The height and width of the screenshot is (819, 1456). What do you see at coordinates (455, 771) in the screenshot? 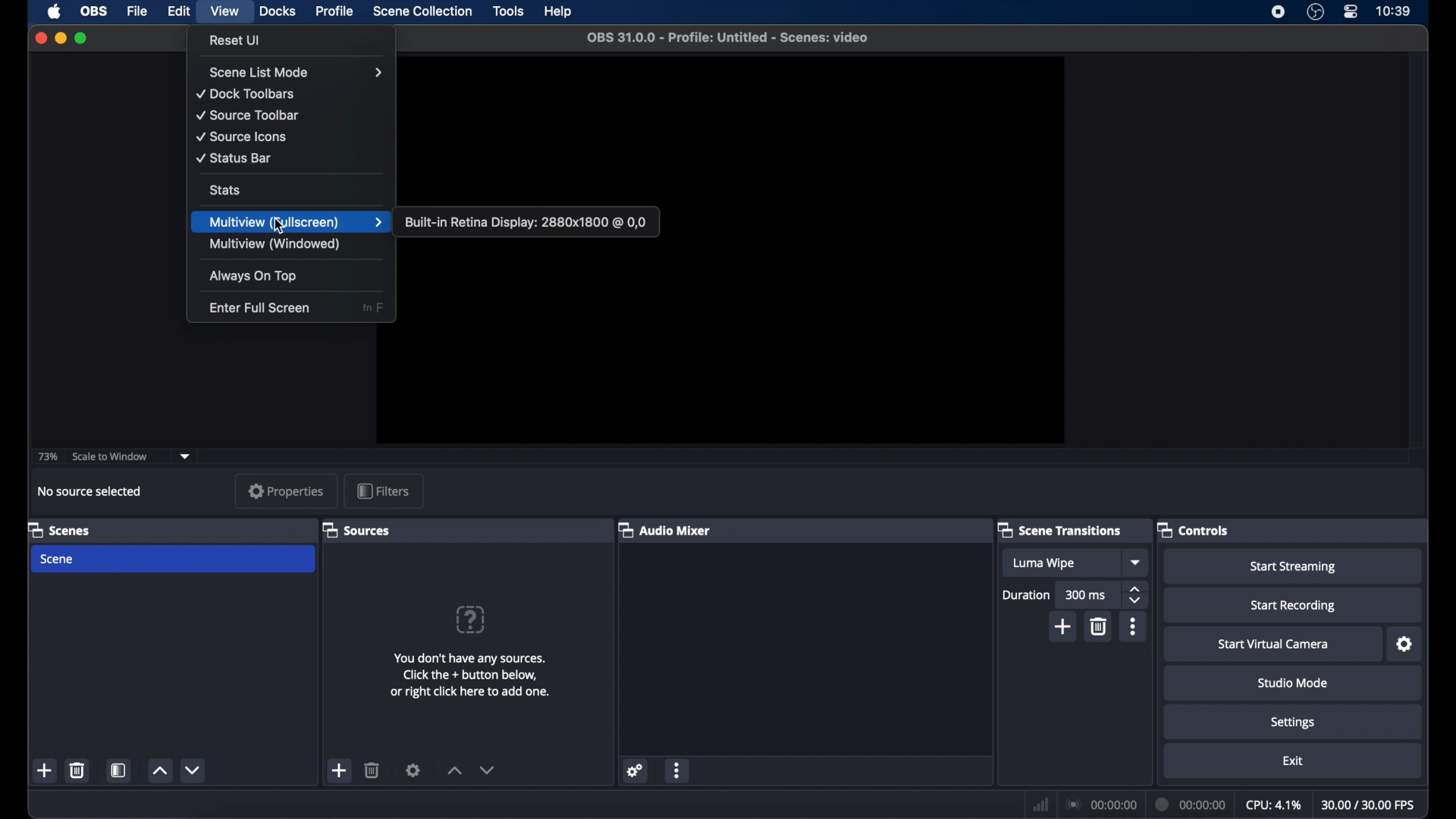
I see `increment` at bounding box center [455, 771].